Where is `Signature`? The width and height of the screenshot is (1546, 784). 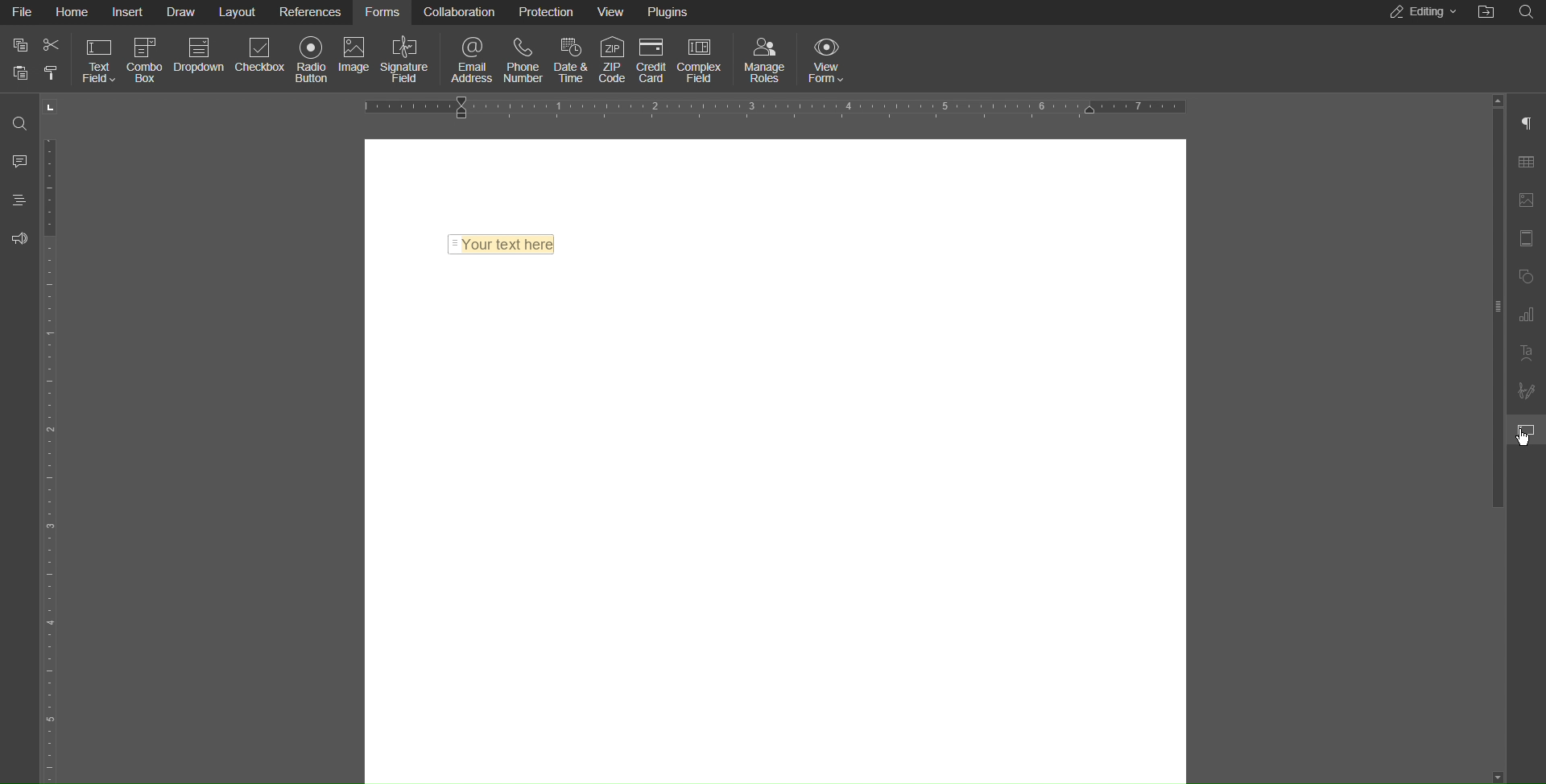 Signature is located at coordinates (1528, 392).